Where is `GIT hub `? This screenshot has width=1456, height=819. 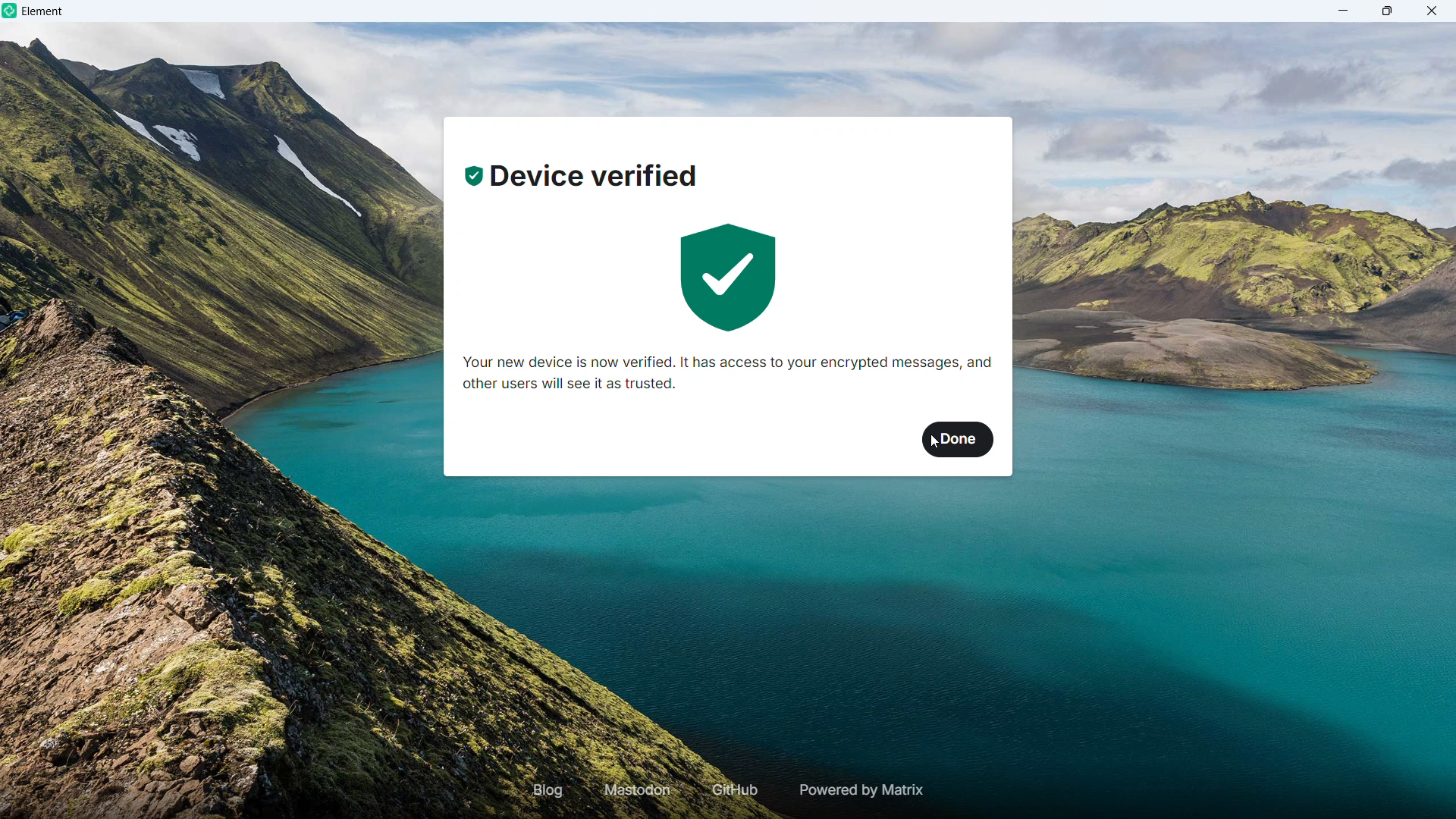 GIT hub  is located at coordinates (732, 791).